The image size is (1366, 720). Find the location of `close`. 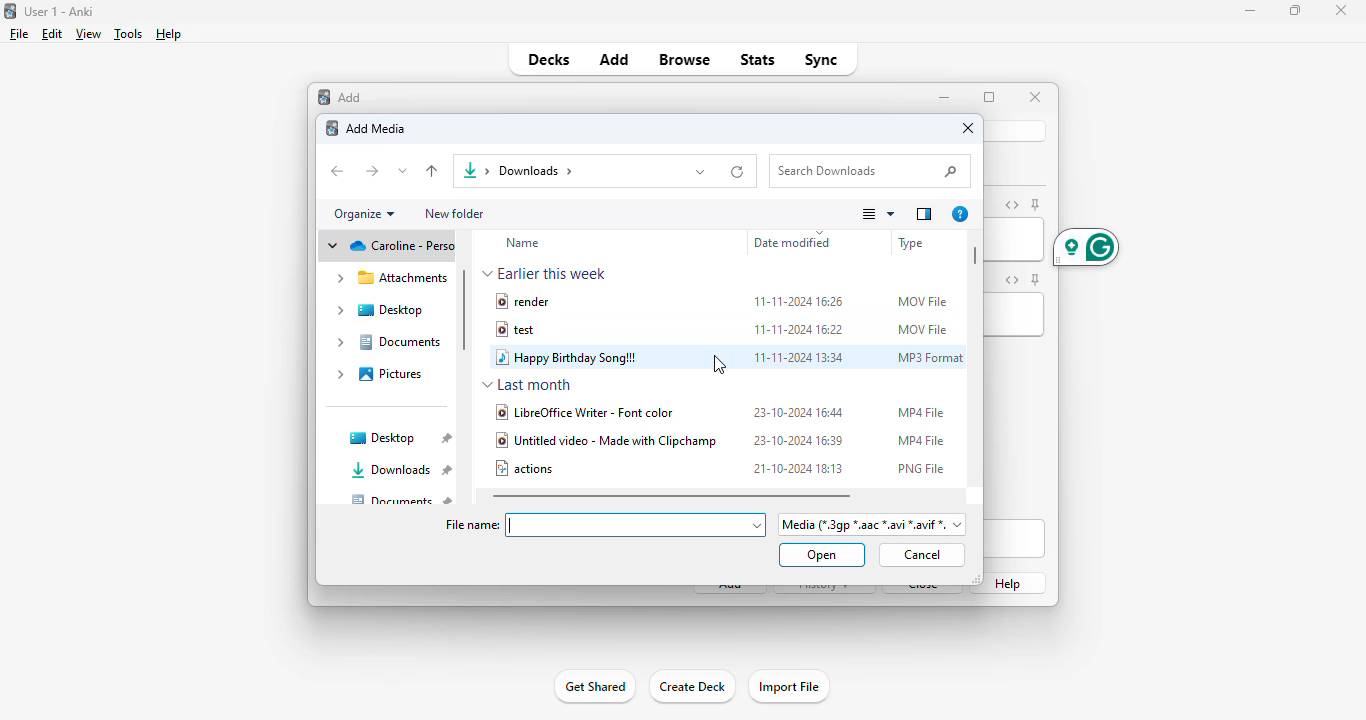

close is located at coordinates (1036, 97).